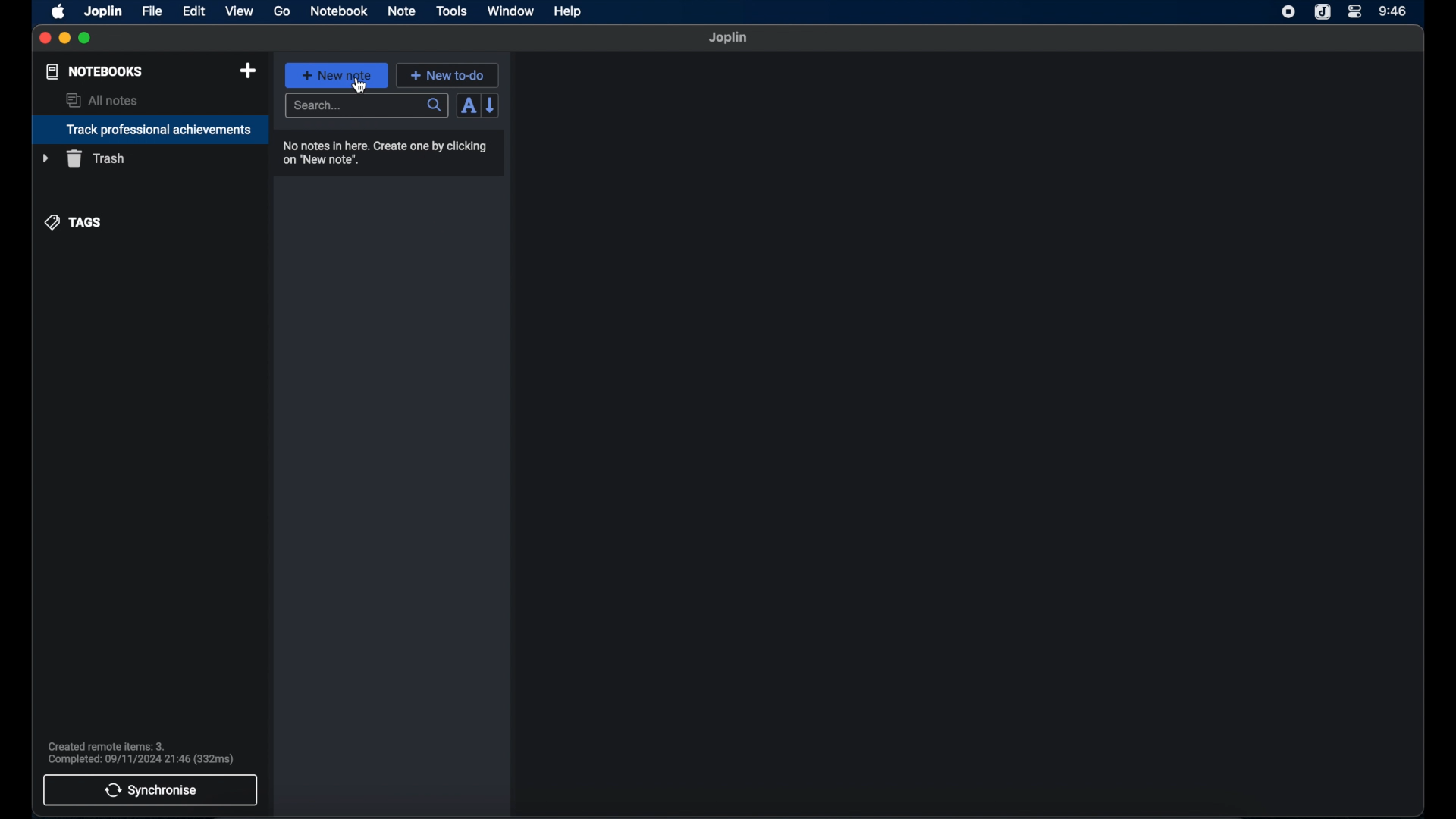  Describe the element at coordinates (366, 106) in the screenshot. I see `search bar` at that location.